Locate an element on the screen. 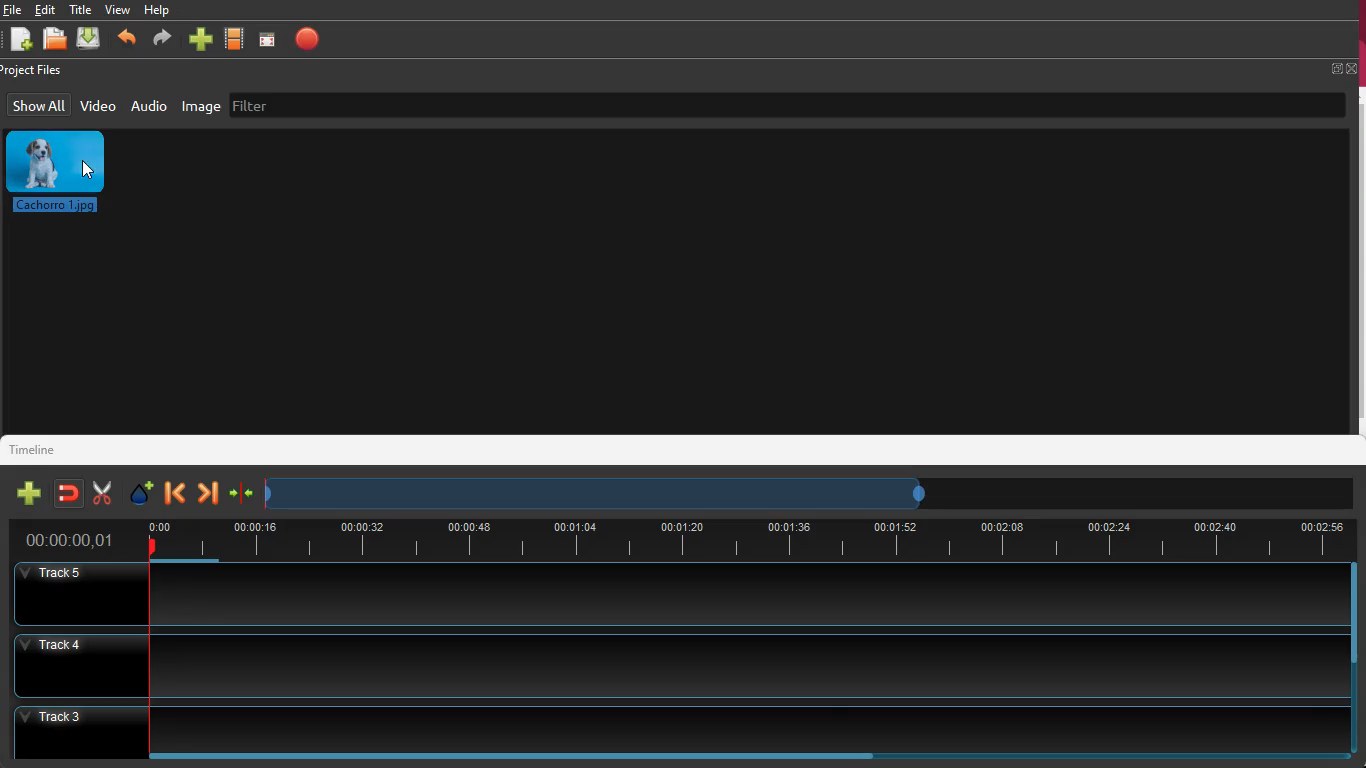  stop is located at coordinates (312, 43).